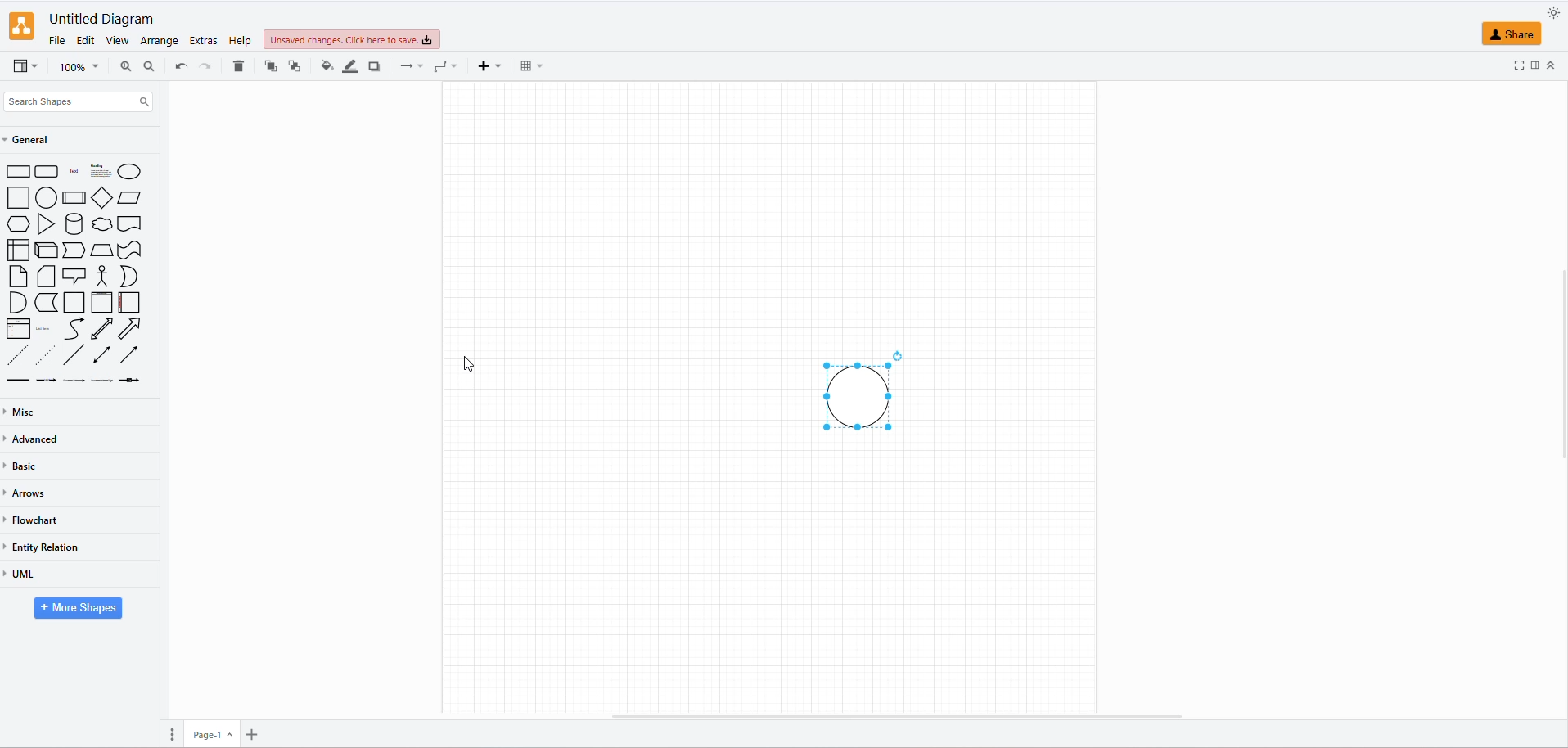 The width and height of the screenshot is (1568, 748). I want to click on FILL COLOR, so click(324, 69).